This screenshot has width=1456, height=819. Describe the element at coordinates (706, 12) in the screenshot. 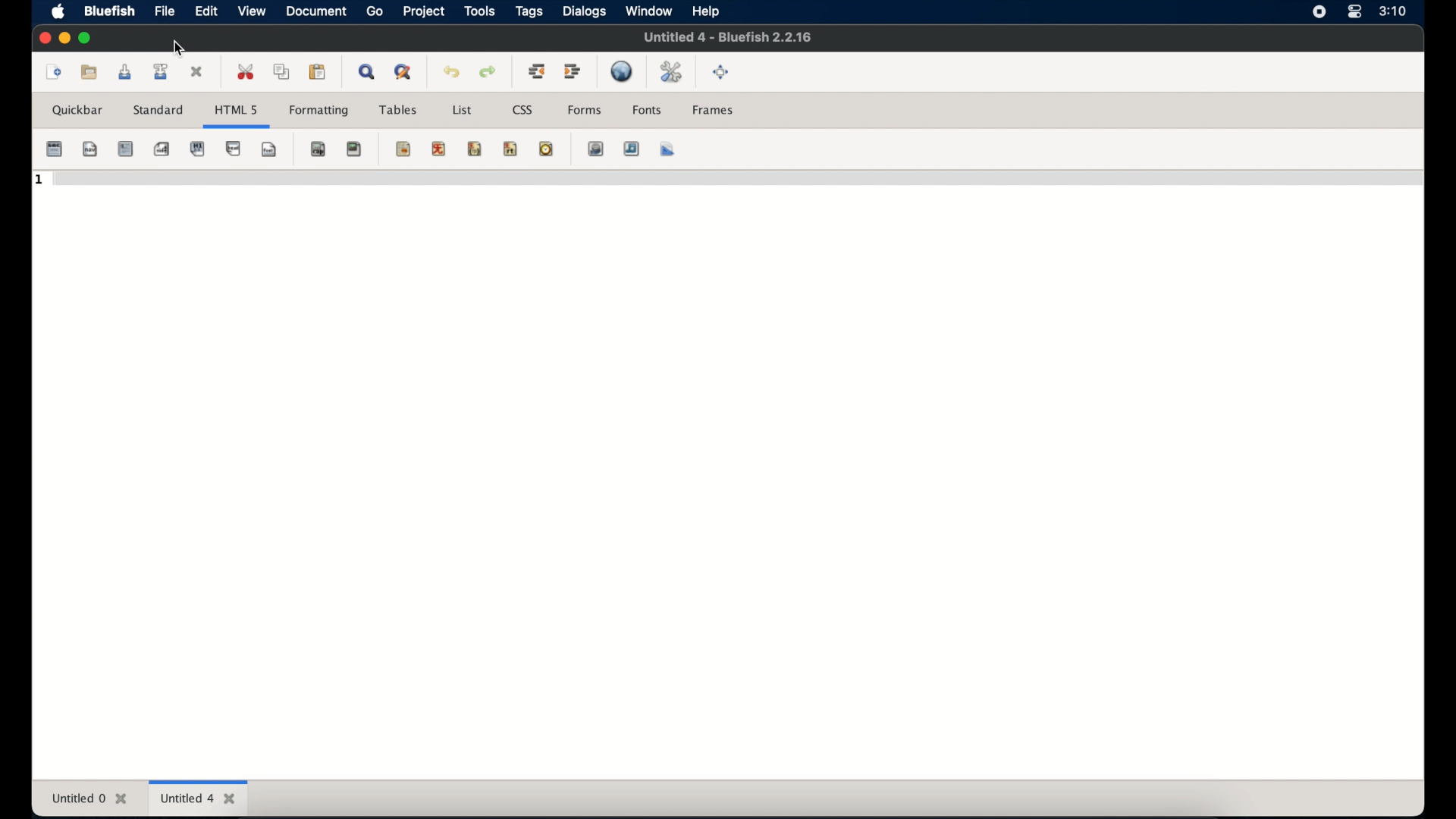

I see `help` at that location.